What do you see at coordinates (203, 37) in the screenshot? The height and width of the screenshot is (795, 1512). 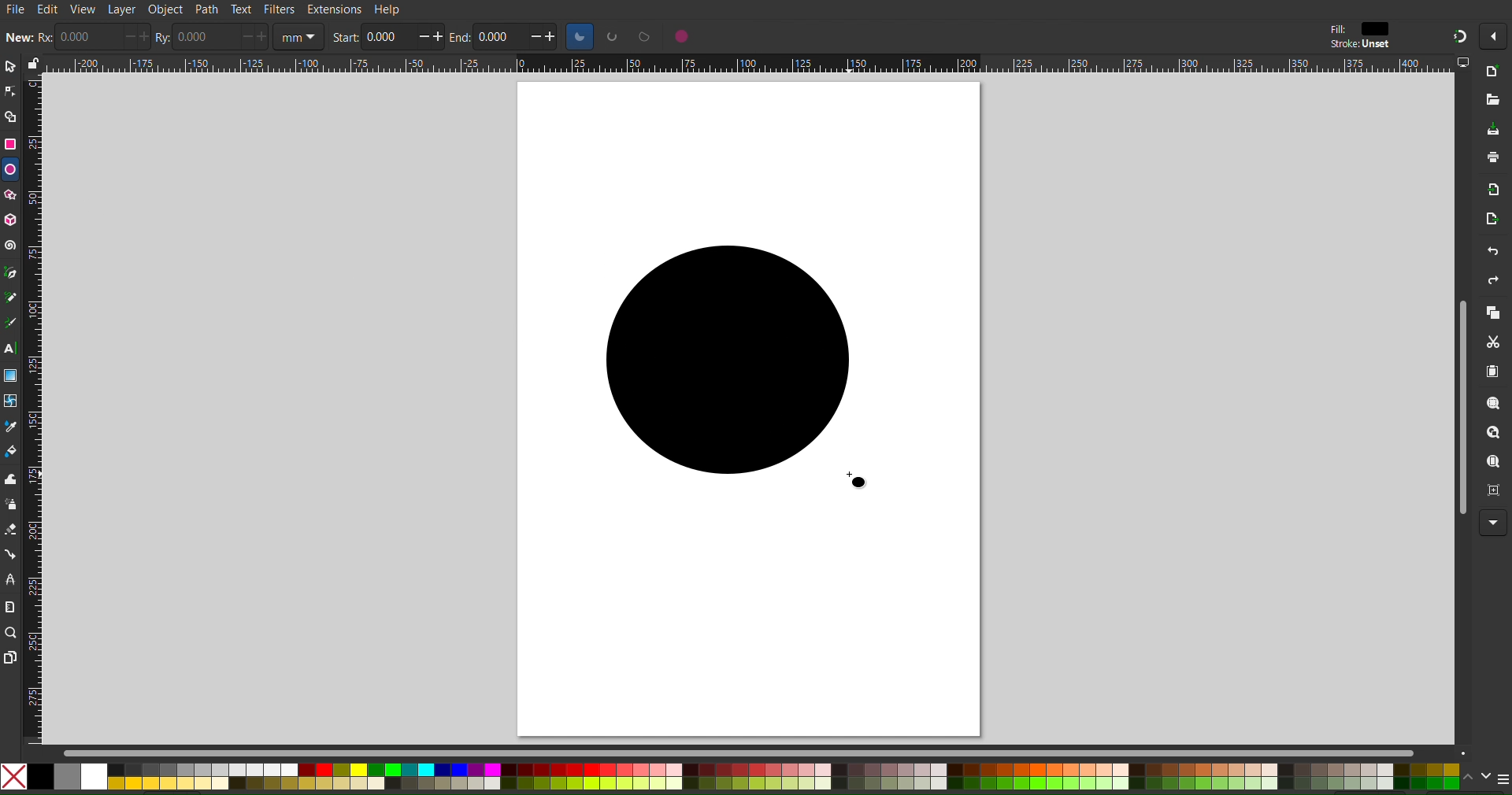 I see `0` at bounding box center [203, 37].